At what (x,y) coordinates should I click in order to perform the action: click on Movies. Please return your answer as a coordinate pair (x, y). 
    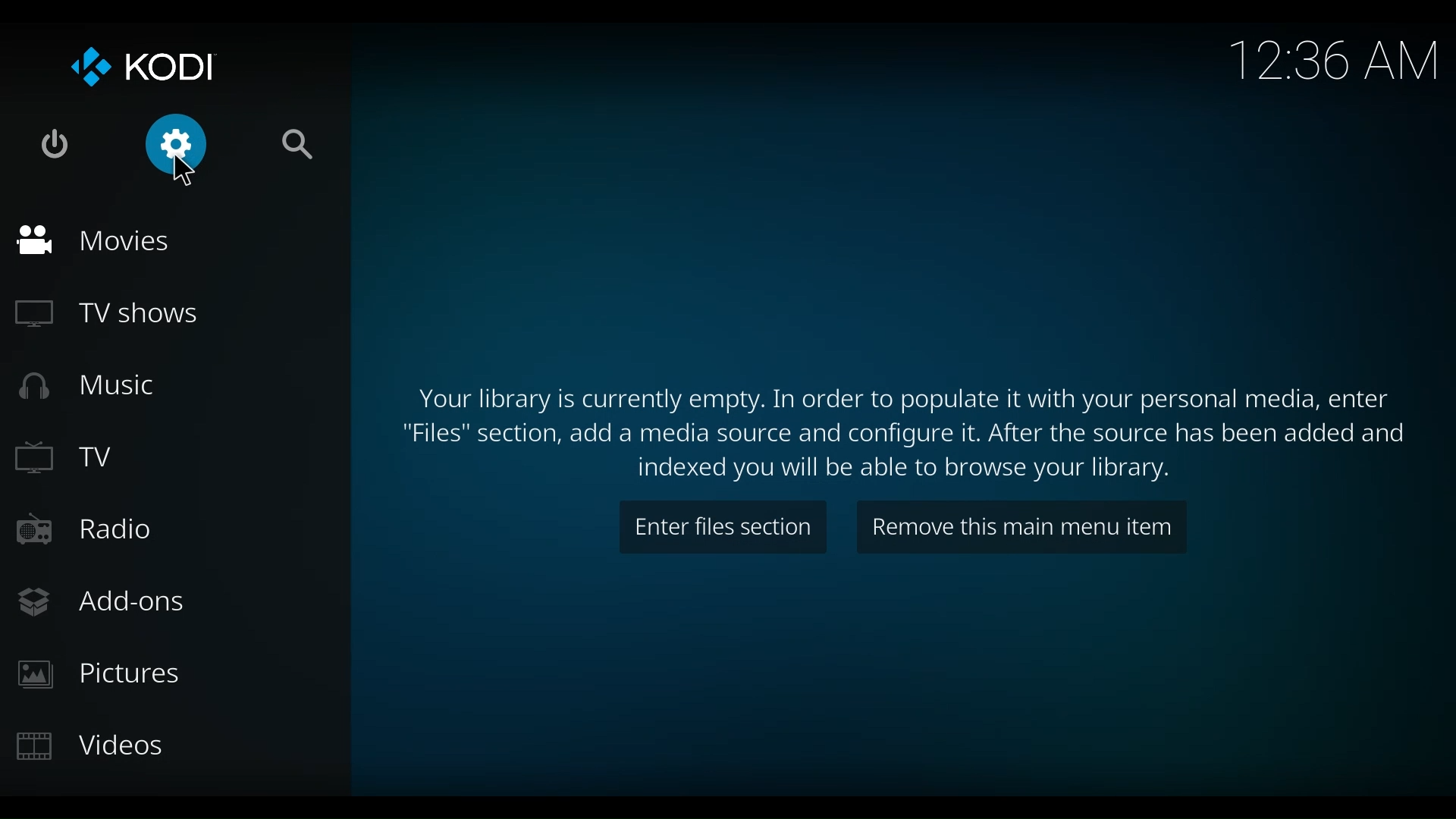
    Looking at the image, I should click on (96, 243).